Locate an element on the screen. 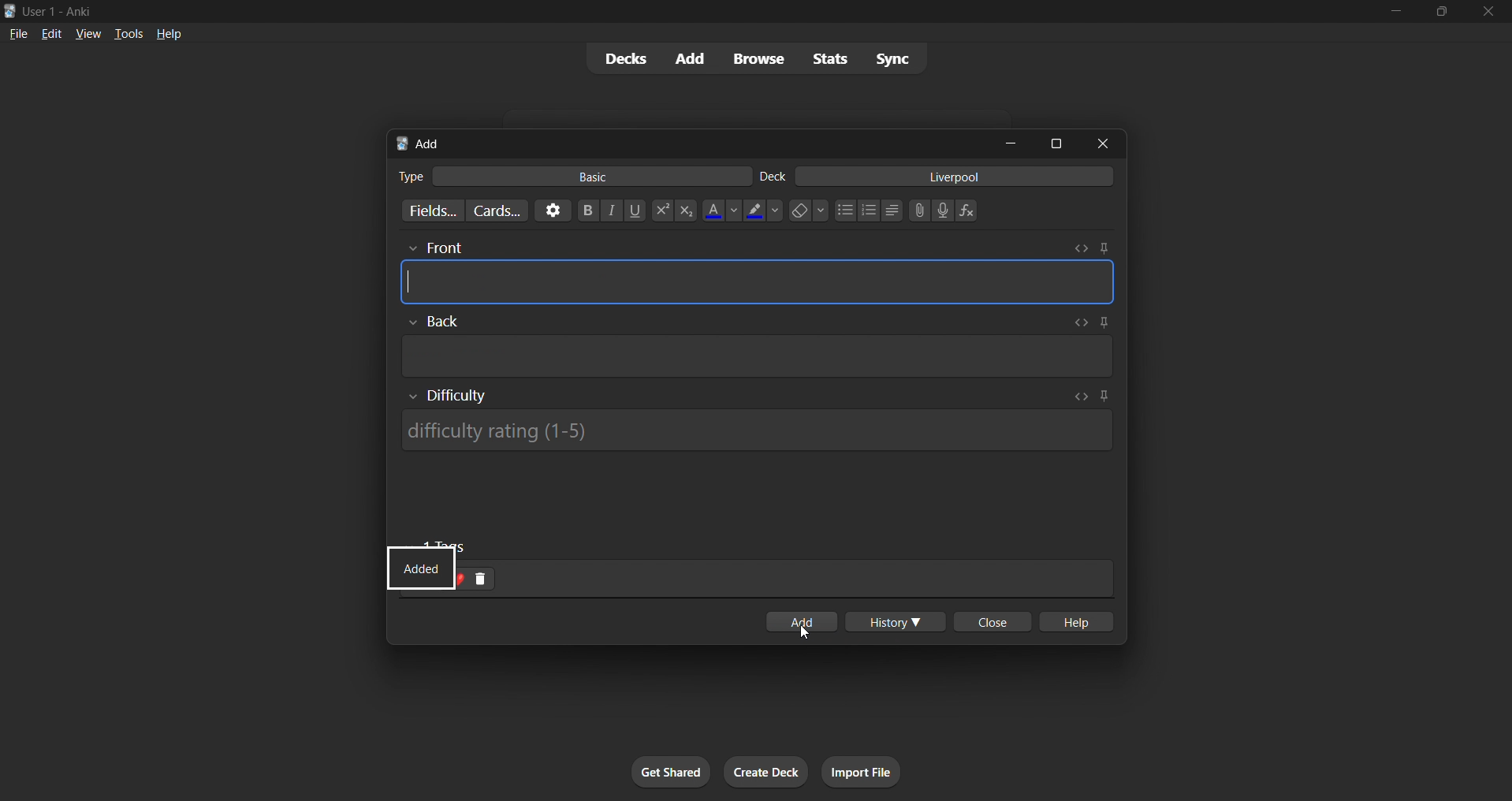 This screenshot has height=801, width=1512. card back input box is located at coordinates (762, 348).